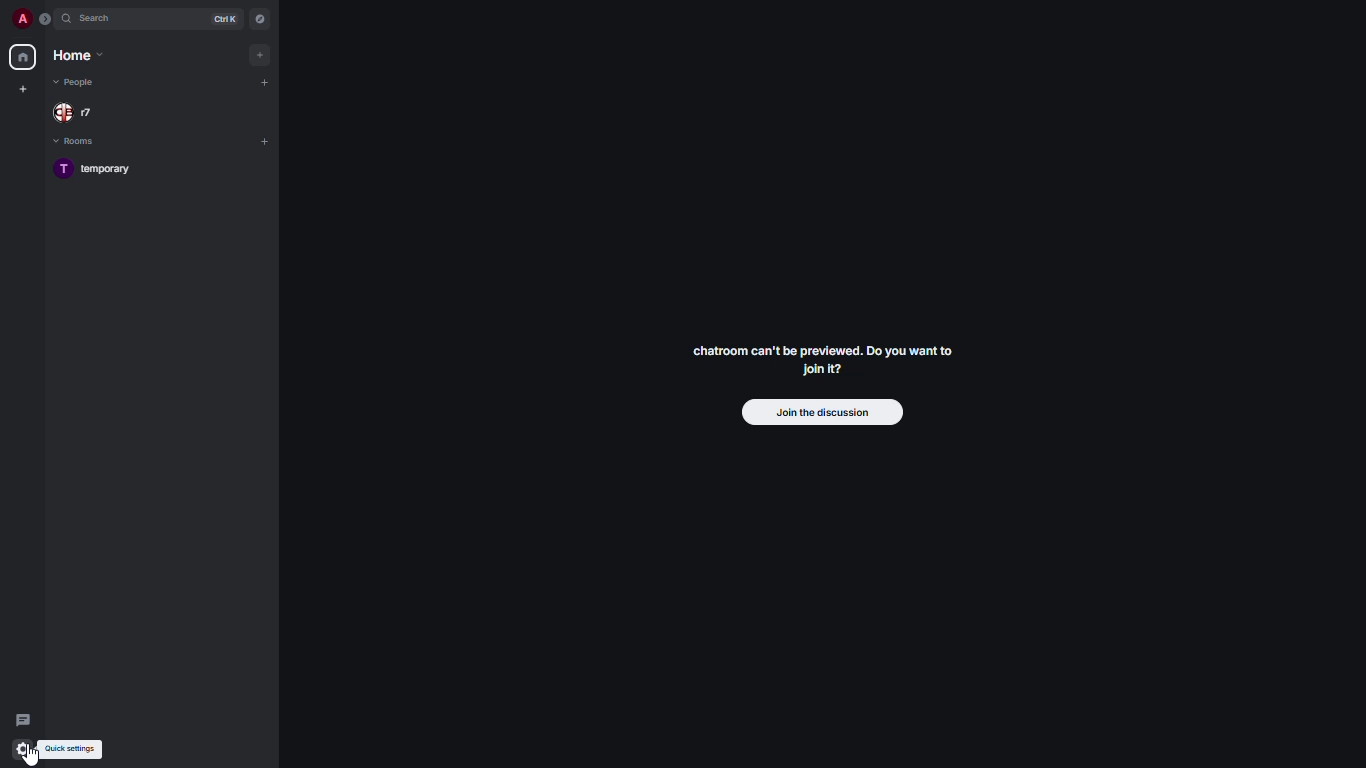 Image resolution: width=1366 pixels, height=768 pixels. I want to click on expand, so click(46, 18).